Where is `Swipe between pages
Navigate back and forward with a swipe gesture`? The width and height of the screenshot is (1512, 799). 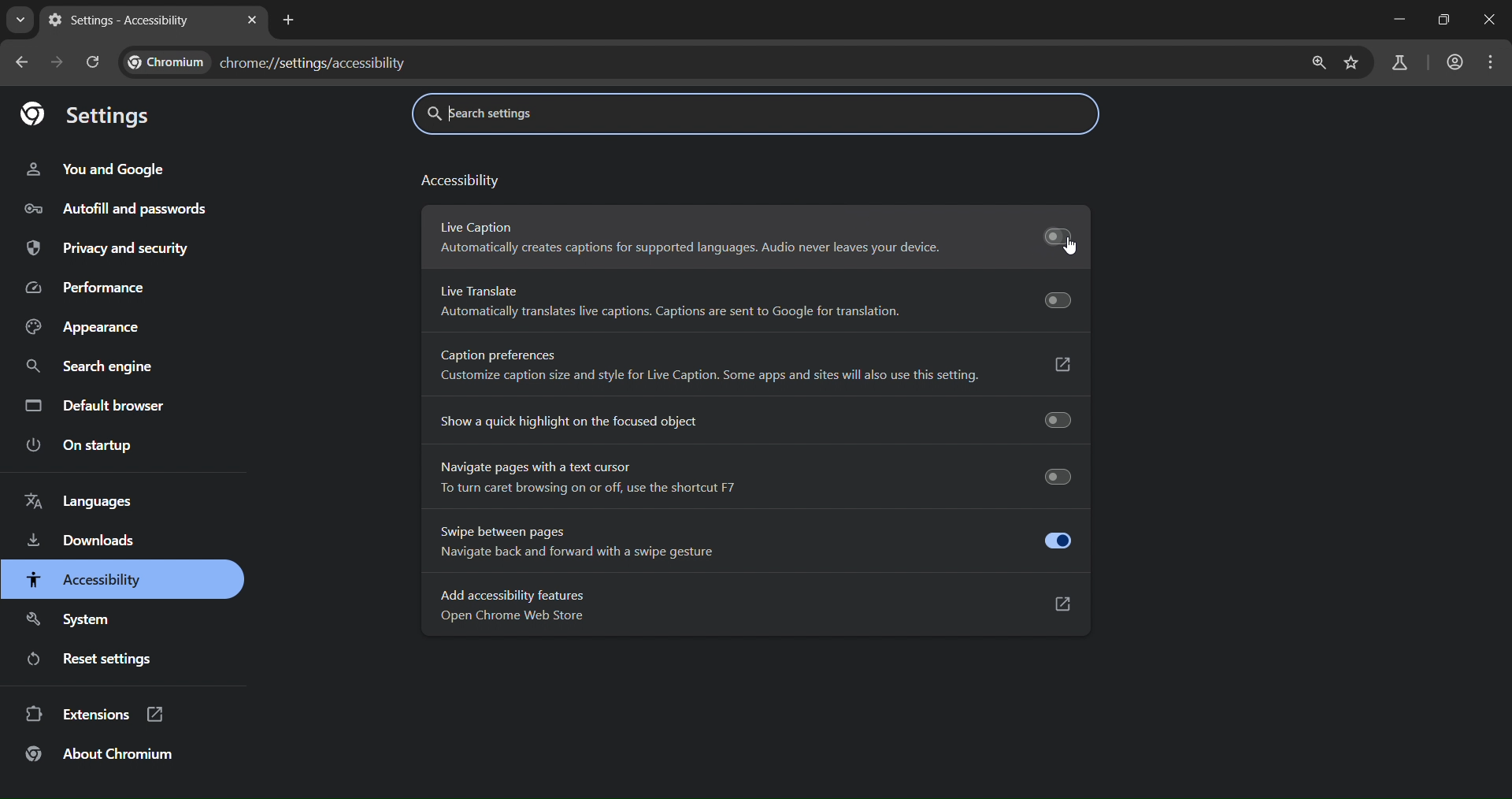 Swipe between pages
Navigate back and forward with a swipe gesture is located at coordinates (754, 540).